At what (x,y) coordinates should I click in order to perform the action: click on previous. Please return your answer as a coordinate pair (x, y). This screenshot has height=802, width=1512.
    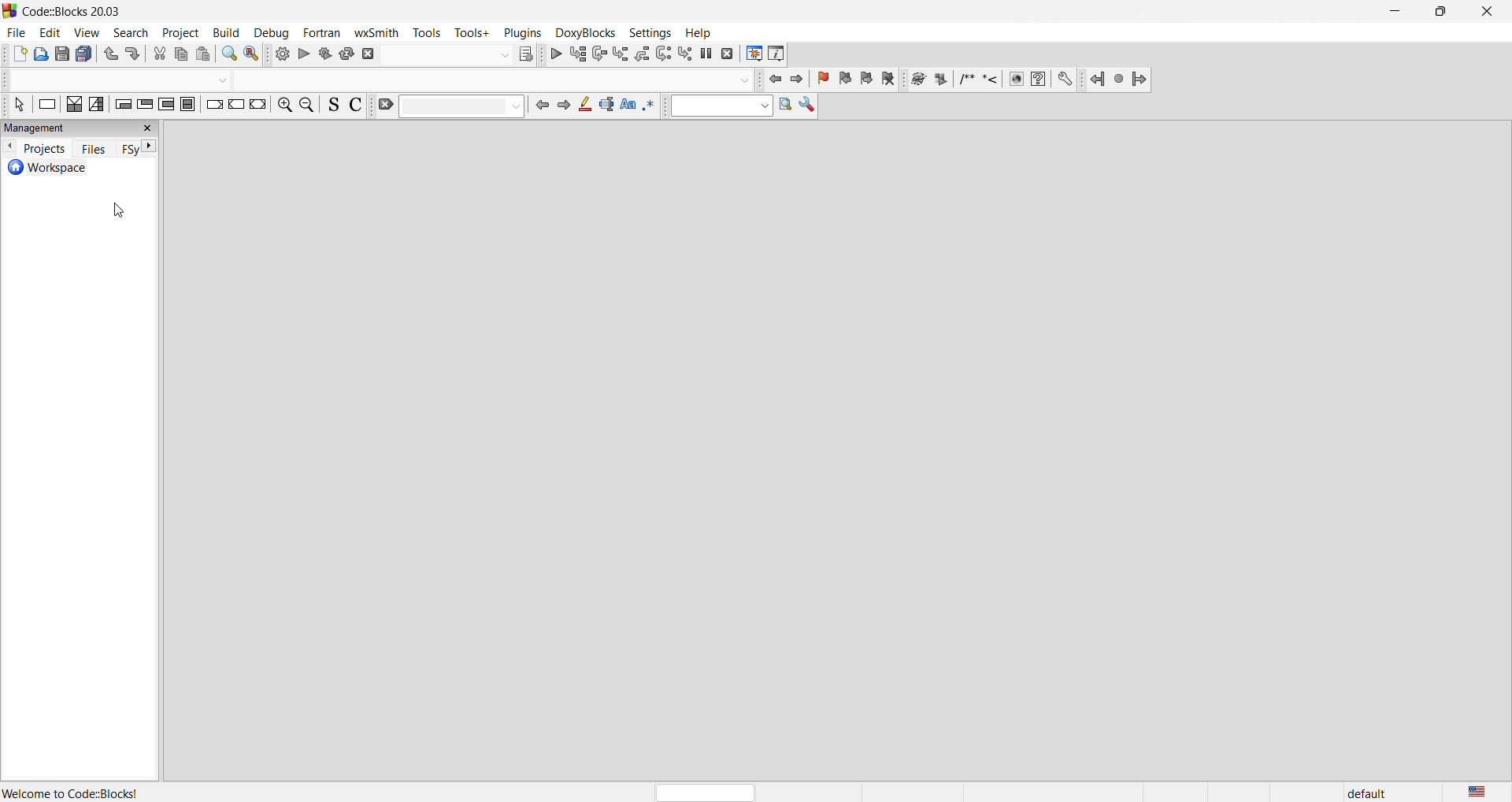
    Looking at the image, I should click on (9, 147).